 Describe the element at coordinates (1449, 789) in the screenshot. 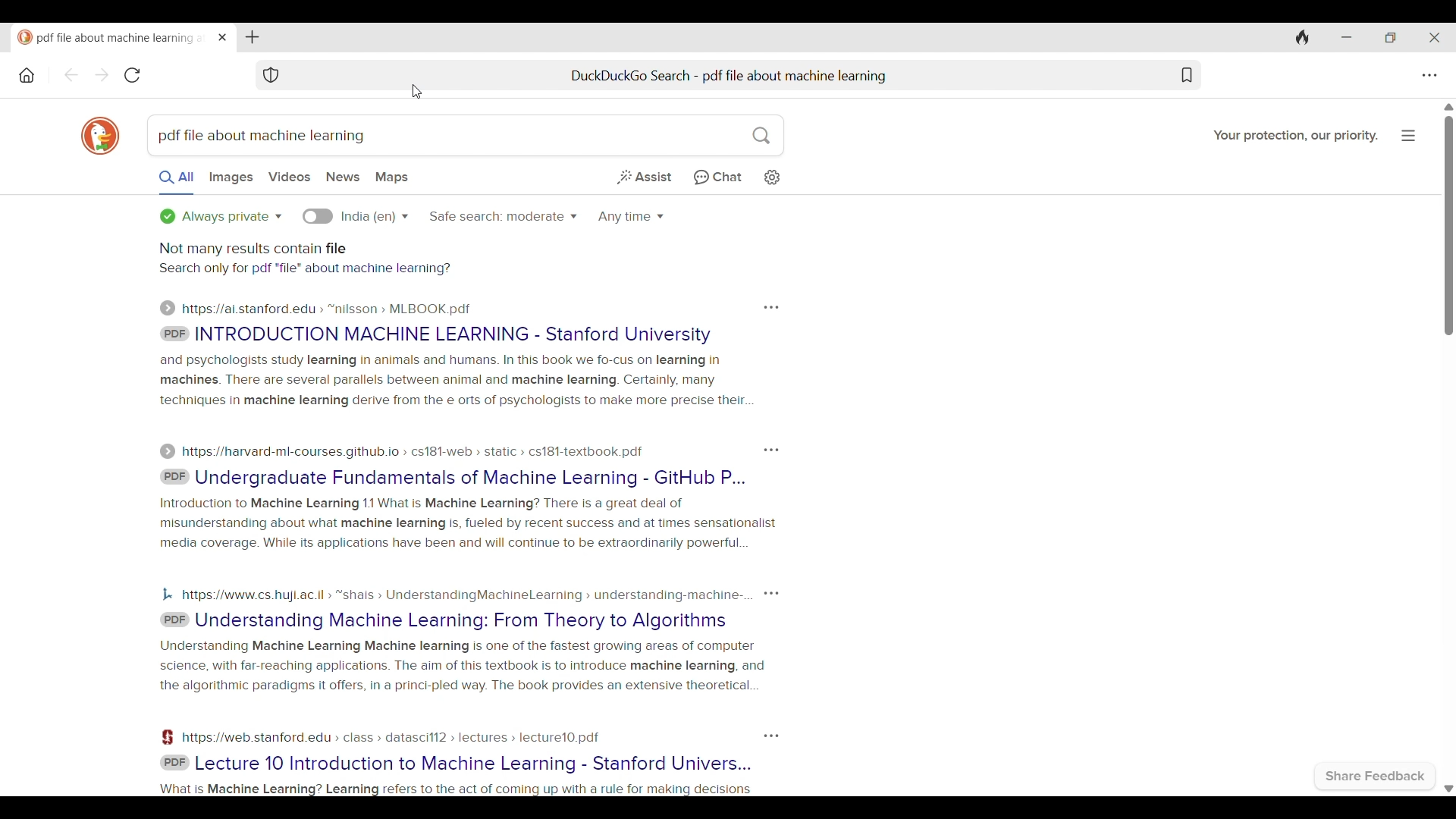

I see `Quick slide to bottom` at that location.